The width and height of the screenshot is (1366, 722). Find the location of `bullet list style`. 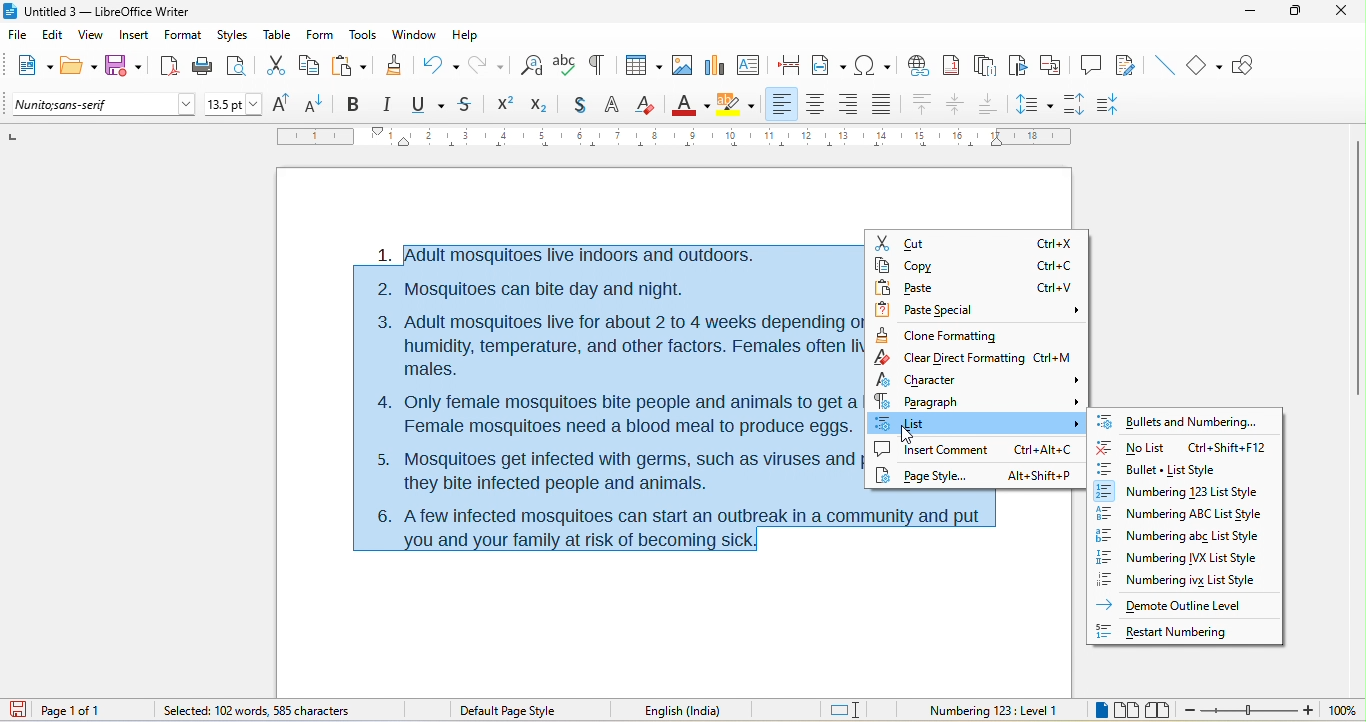

bullet list style is located at coordinates (1188, 468).